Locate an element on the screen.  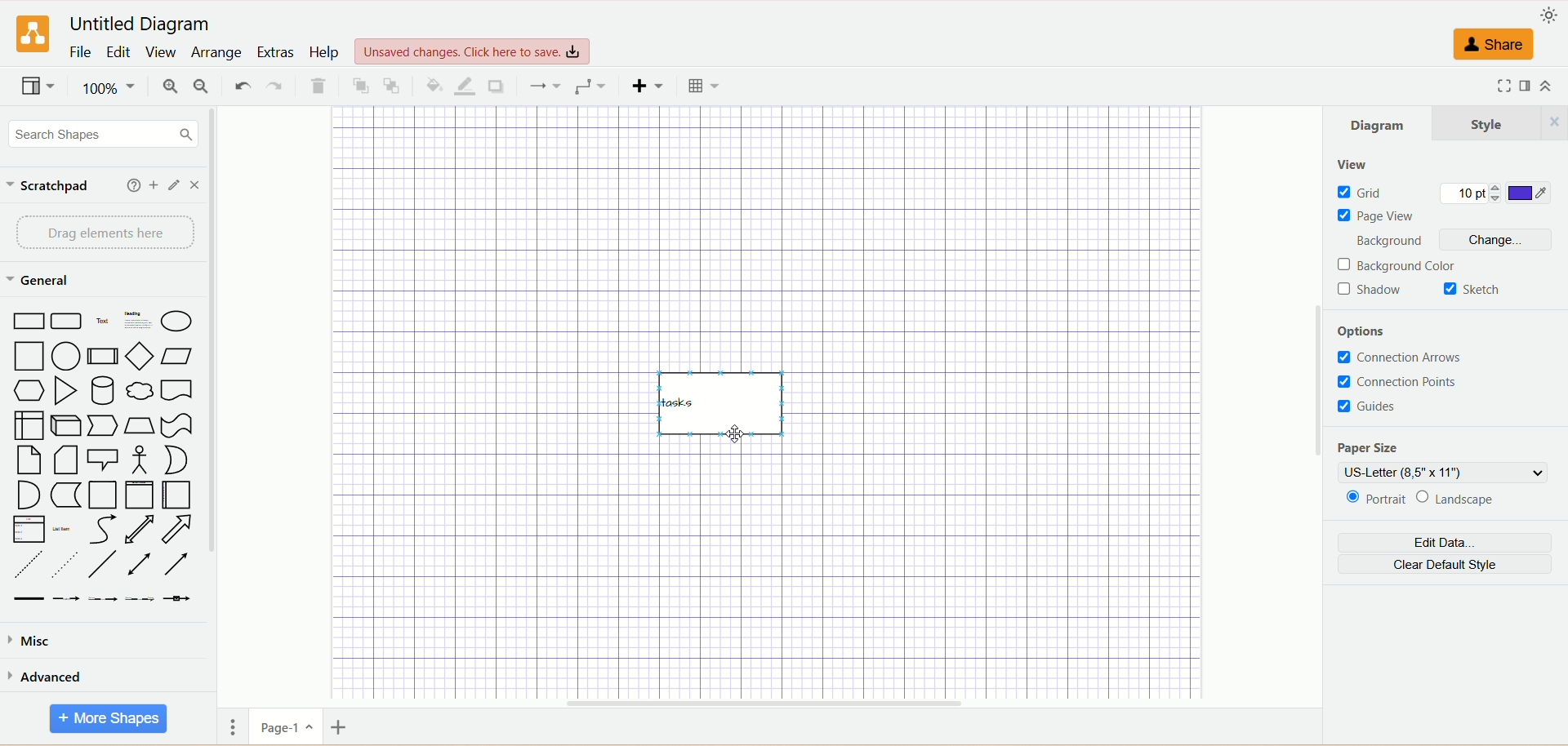
background is located at coordinates (1388, 241).